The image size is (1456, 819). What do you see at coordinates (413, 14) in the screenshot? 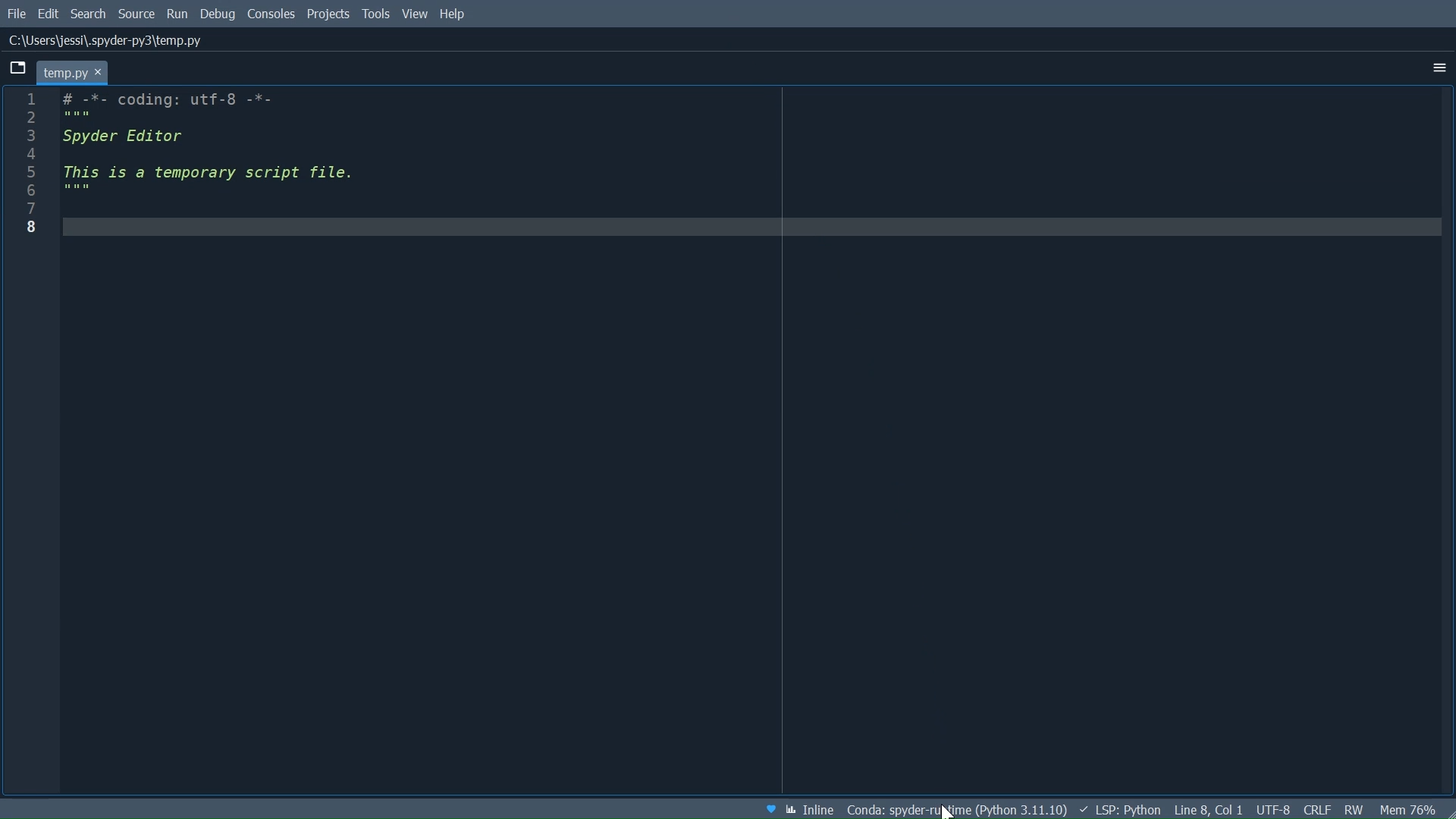
I see `View` at bounding box center [413, 14].